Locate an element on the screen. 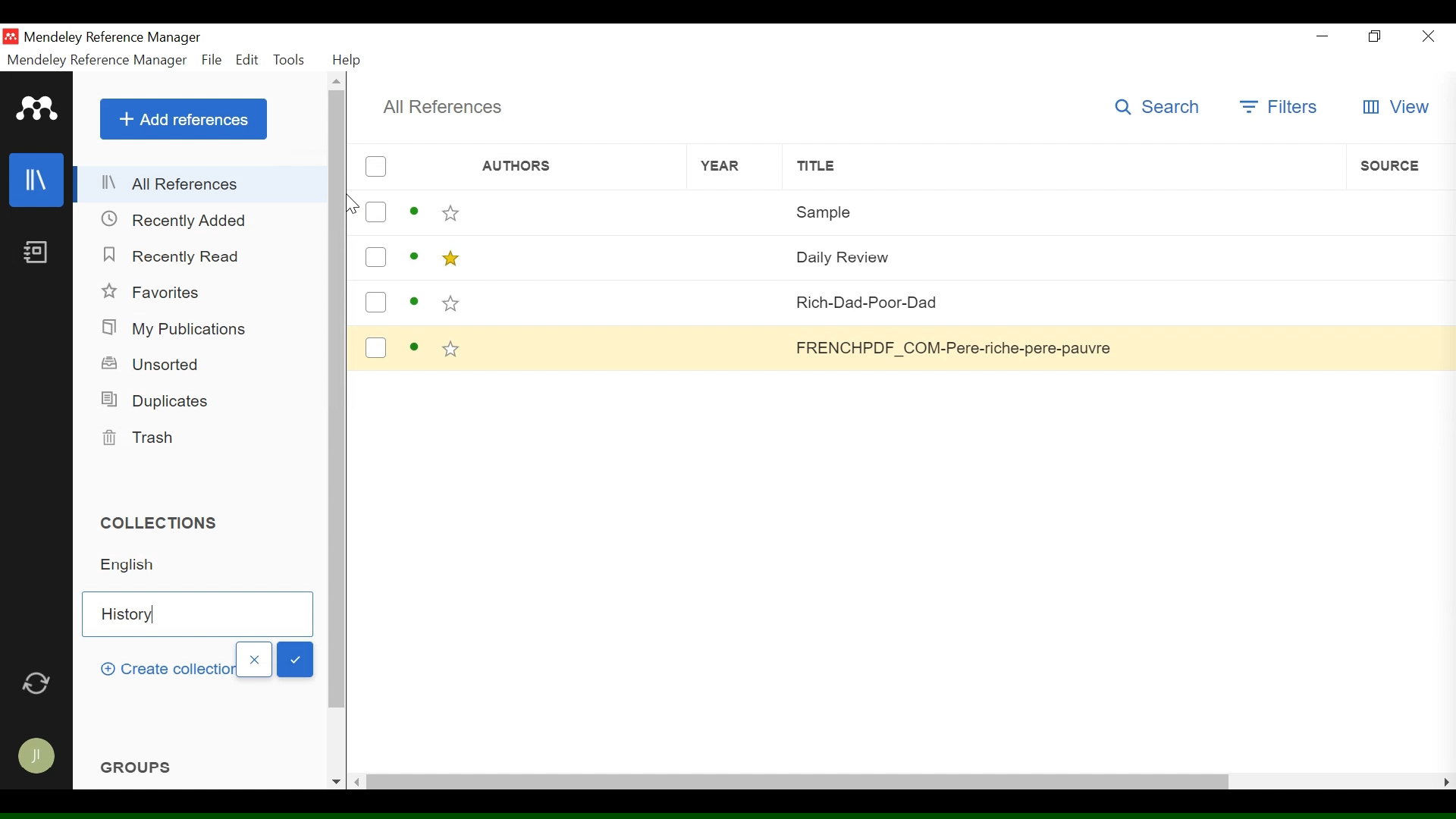 Image resolution: width=1456 pixels, height=819 pixels. All References is located at coordinates (442, 108).